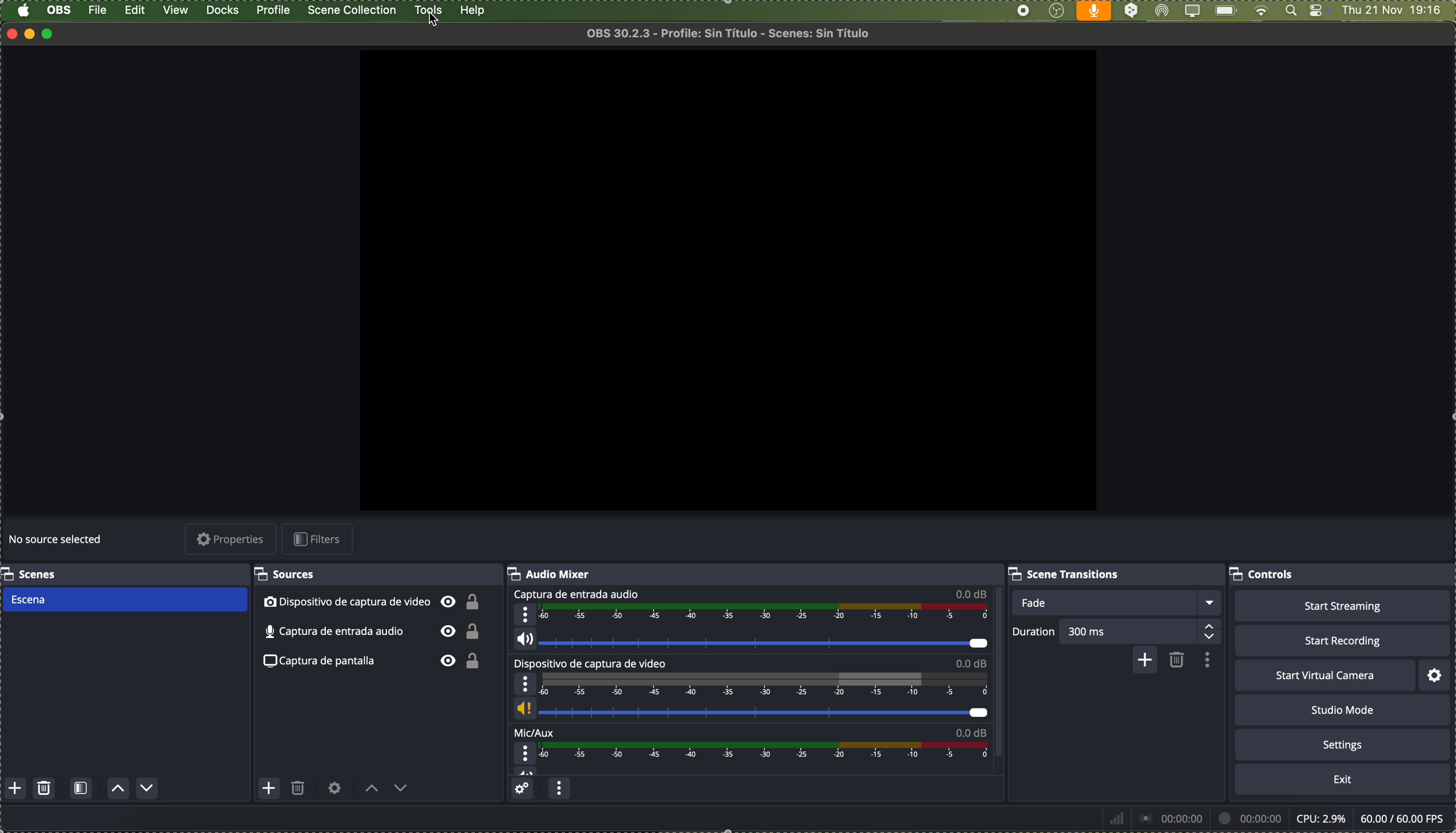 The width and height of the screenshot is (1456, 833). What do you see at coordinates (376, 663) in the screenshot?
I see `screenshot` at bounding box center [376, 663].